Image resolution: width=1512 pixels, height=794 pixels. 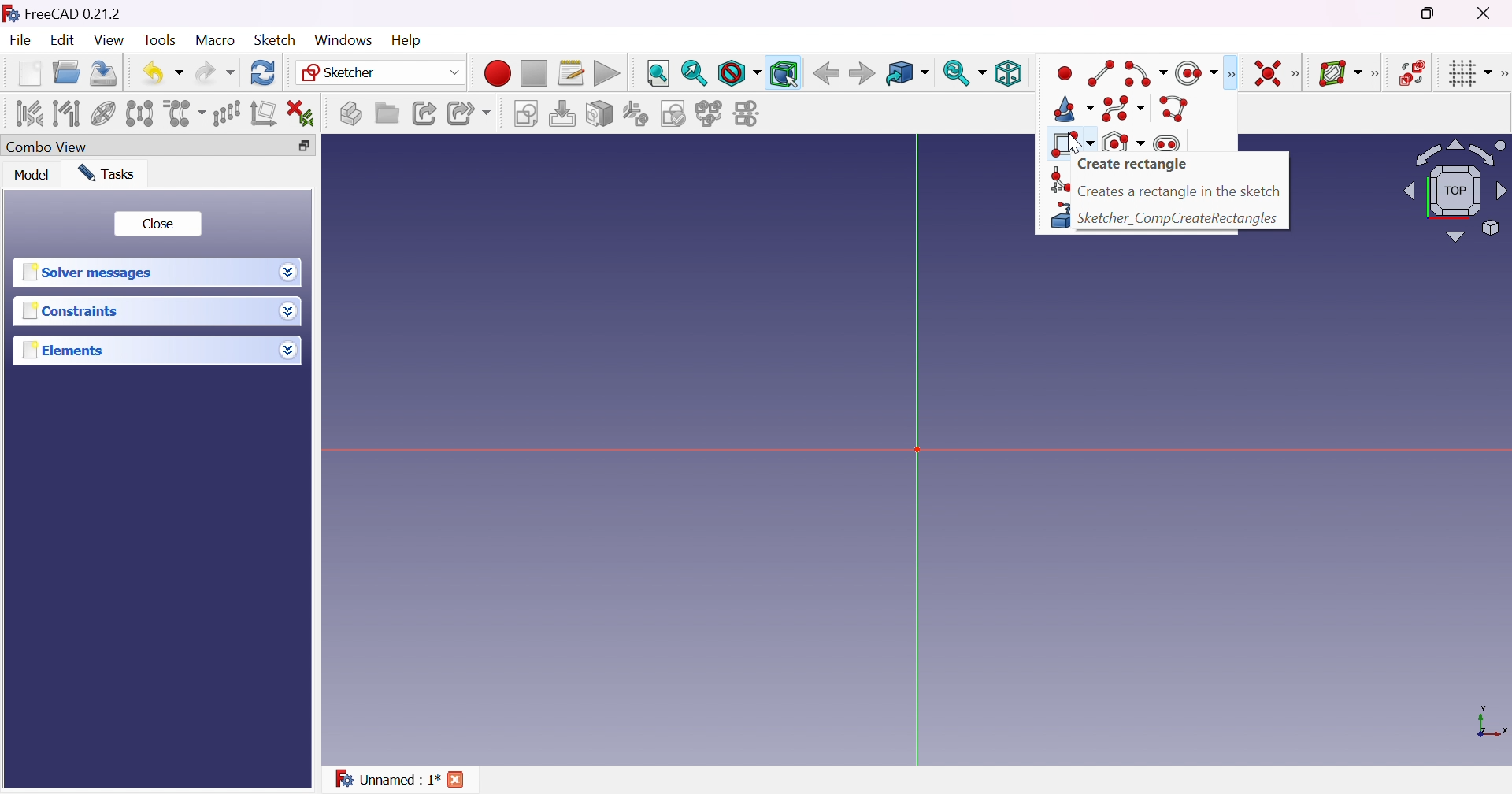 I want to click on Sketcher_CompCreateRectangles, so click(x=1180, y=219).